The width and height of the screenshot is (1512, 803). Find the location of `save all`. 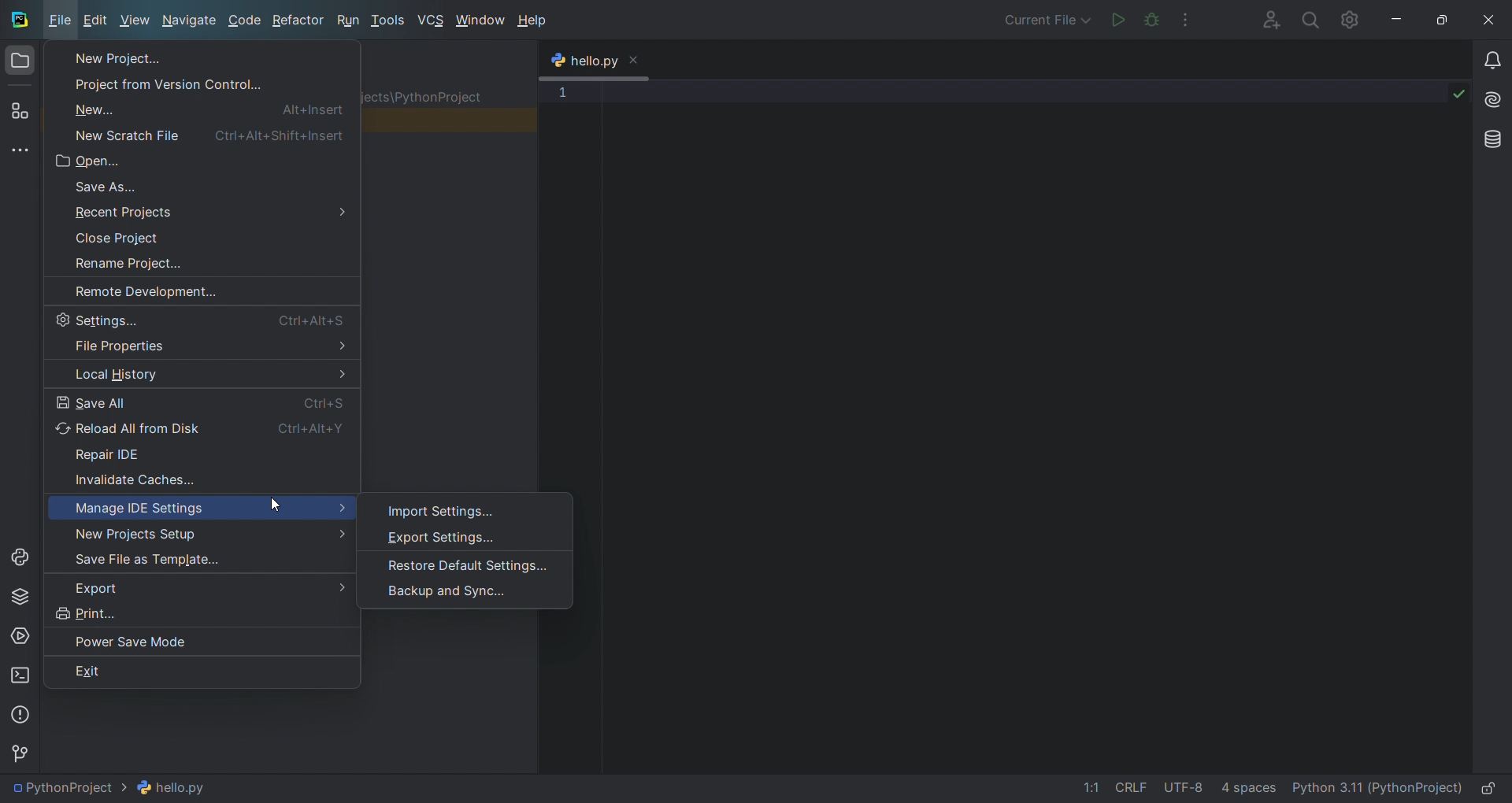

save all is located at coordinates (203, 401).